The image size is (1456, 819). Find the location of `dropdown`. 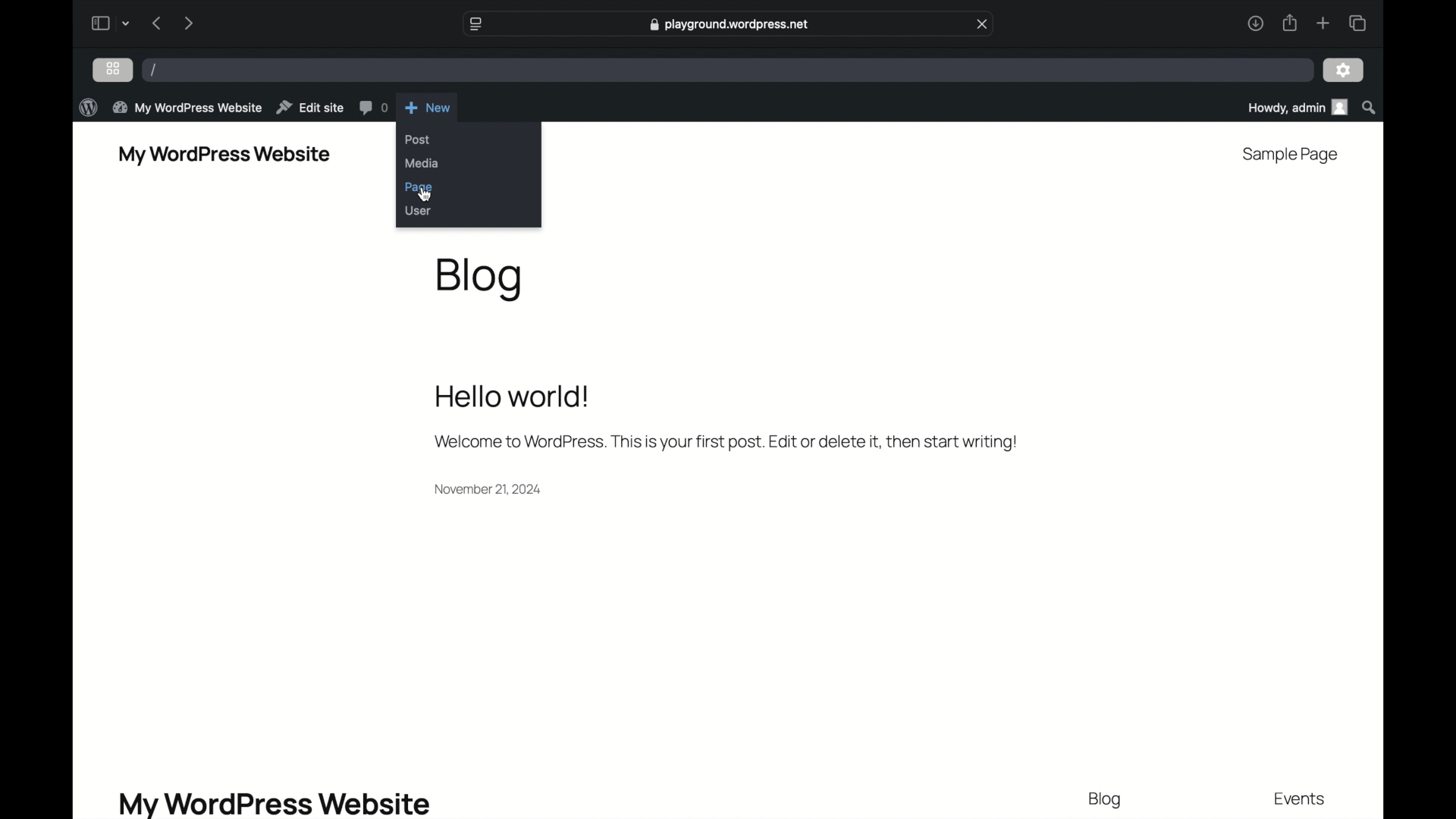

dropdown is located at coordinates (128, 23).